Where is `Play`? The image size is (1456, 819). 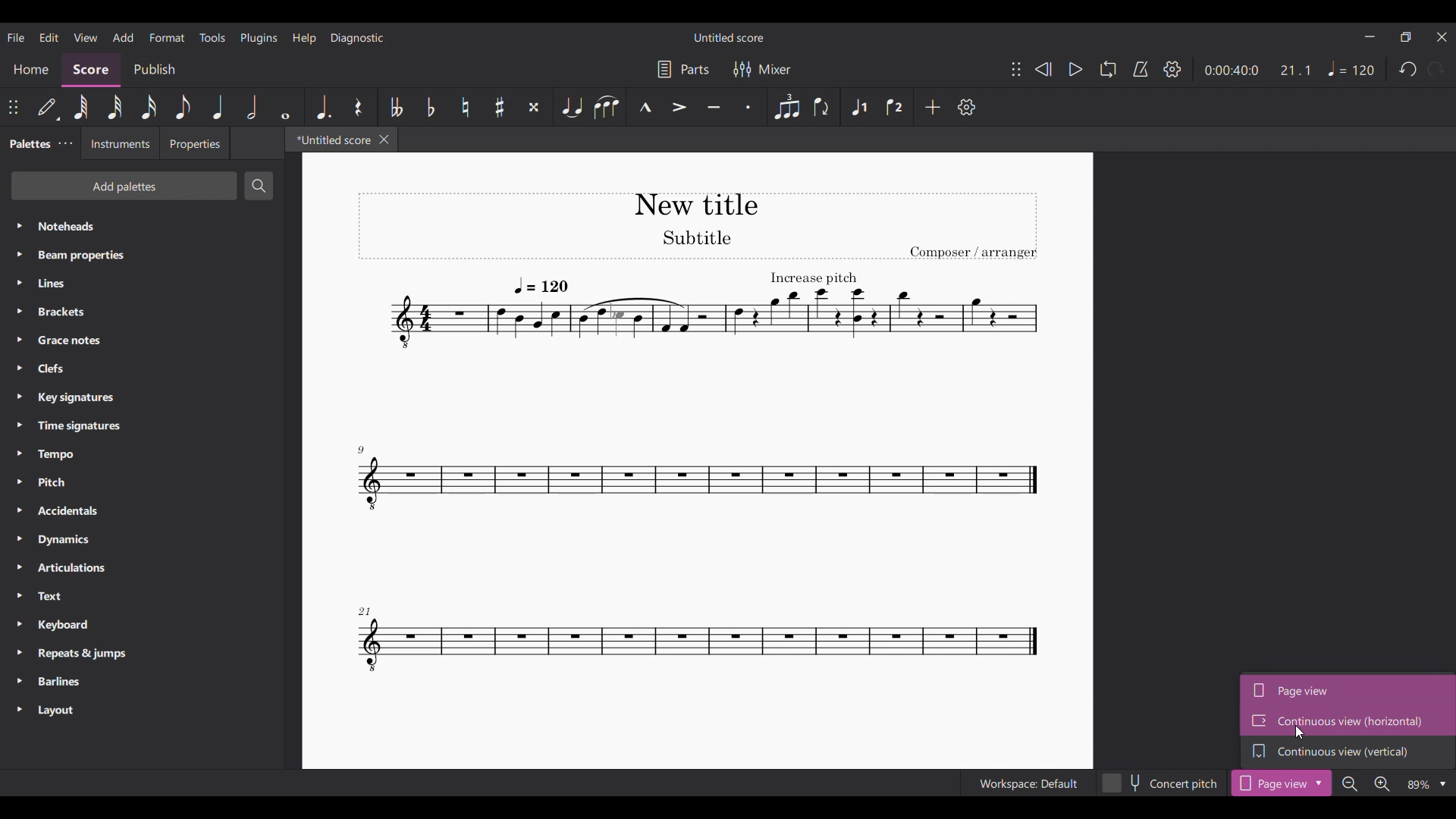 Play is located at coordinates (1076, 70).